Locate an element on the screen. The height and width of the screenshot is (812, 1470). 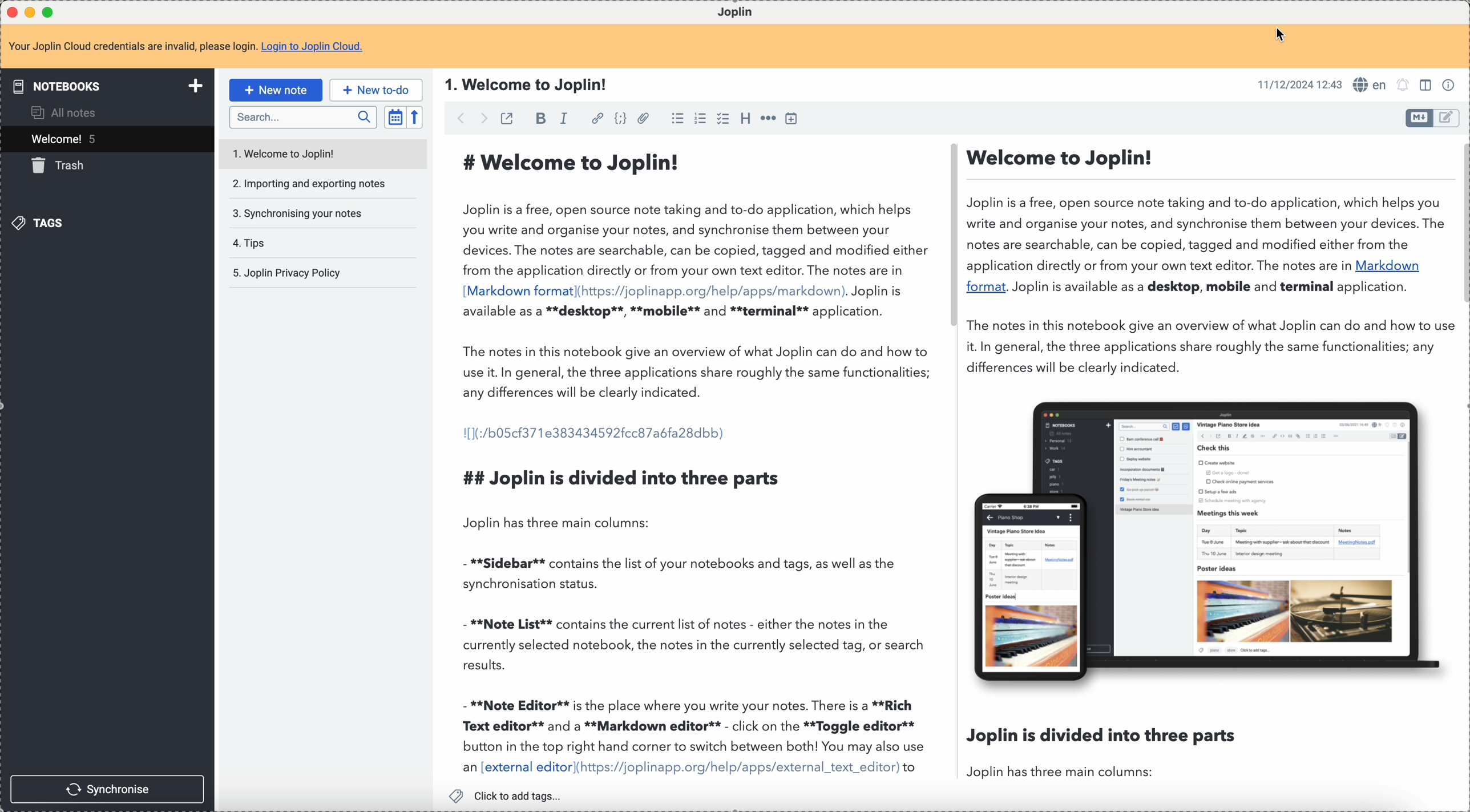
attach file is located at coordinates (644, 118).